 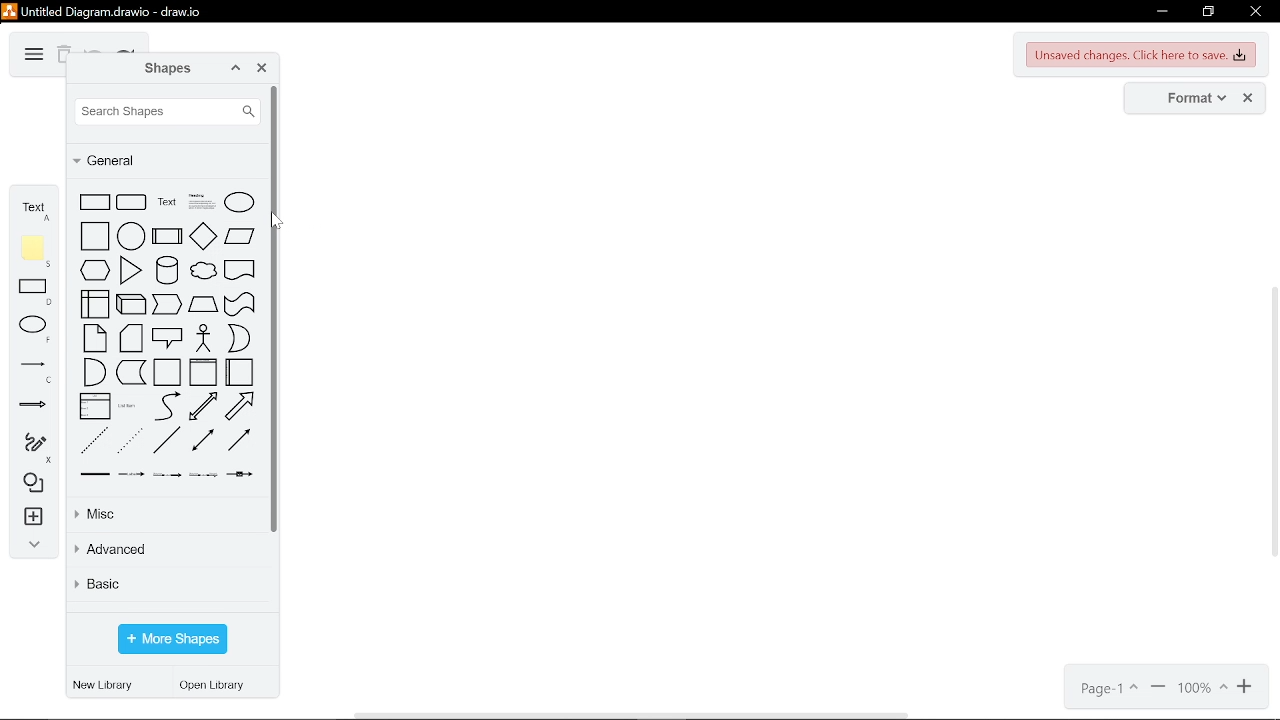 What do you see at coordinates (167, 440) in the screenshot?
I see `line` at bounding box center [167, 440].